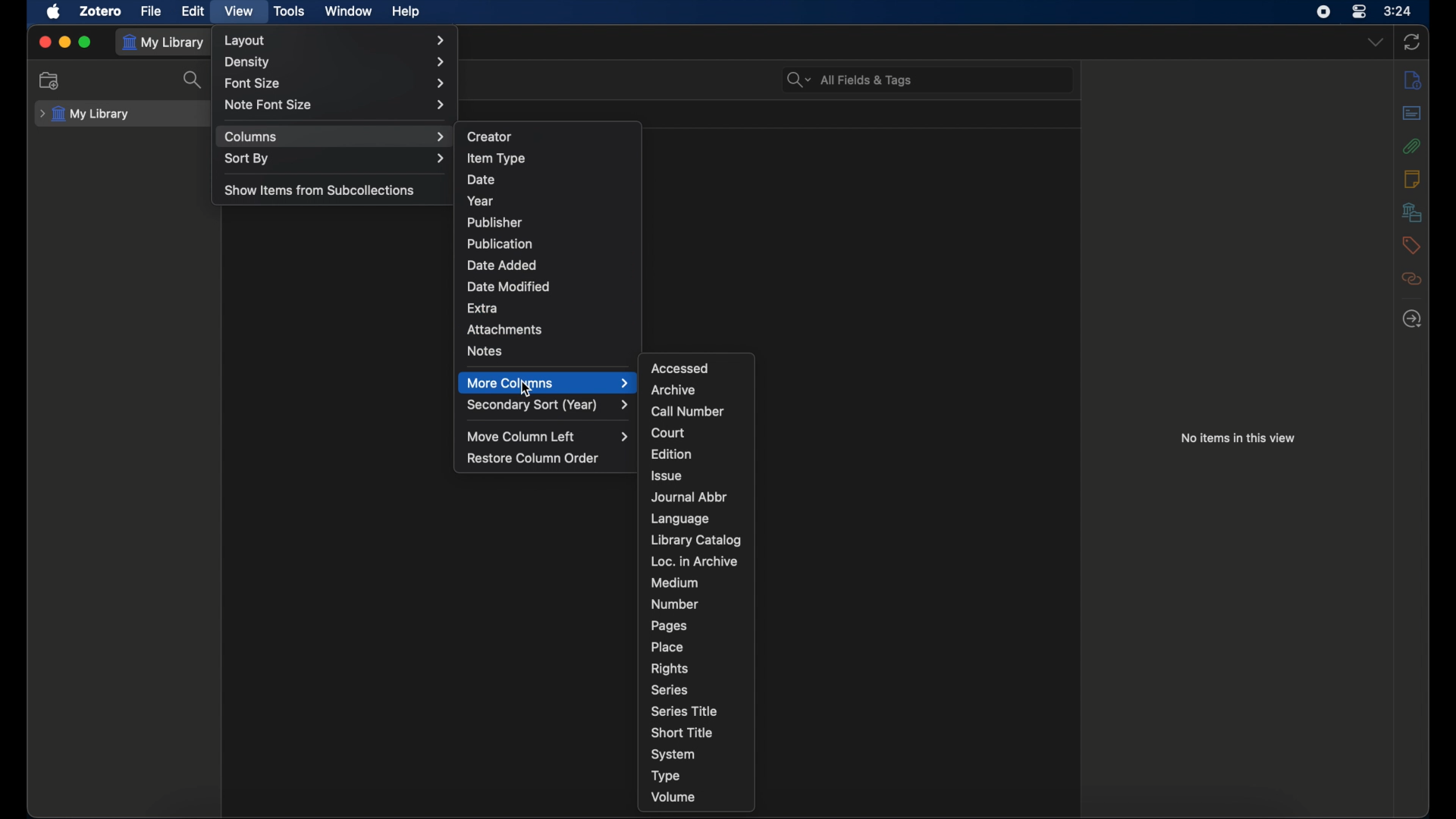  What do you see at coordinates (686, 711) in the screenshot?
I see `series title` at bounding box center [686, 711].